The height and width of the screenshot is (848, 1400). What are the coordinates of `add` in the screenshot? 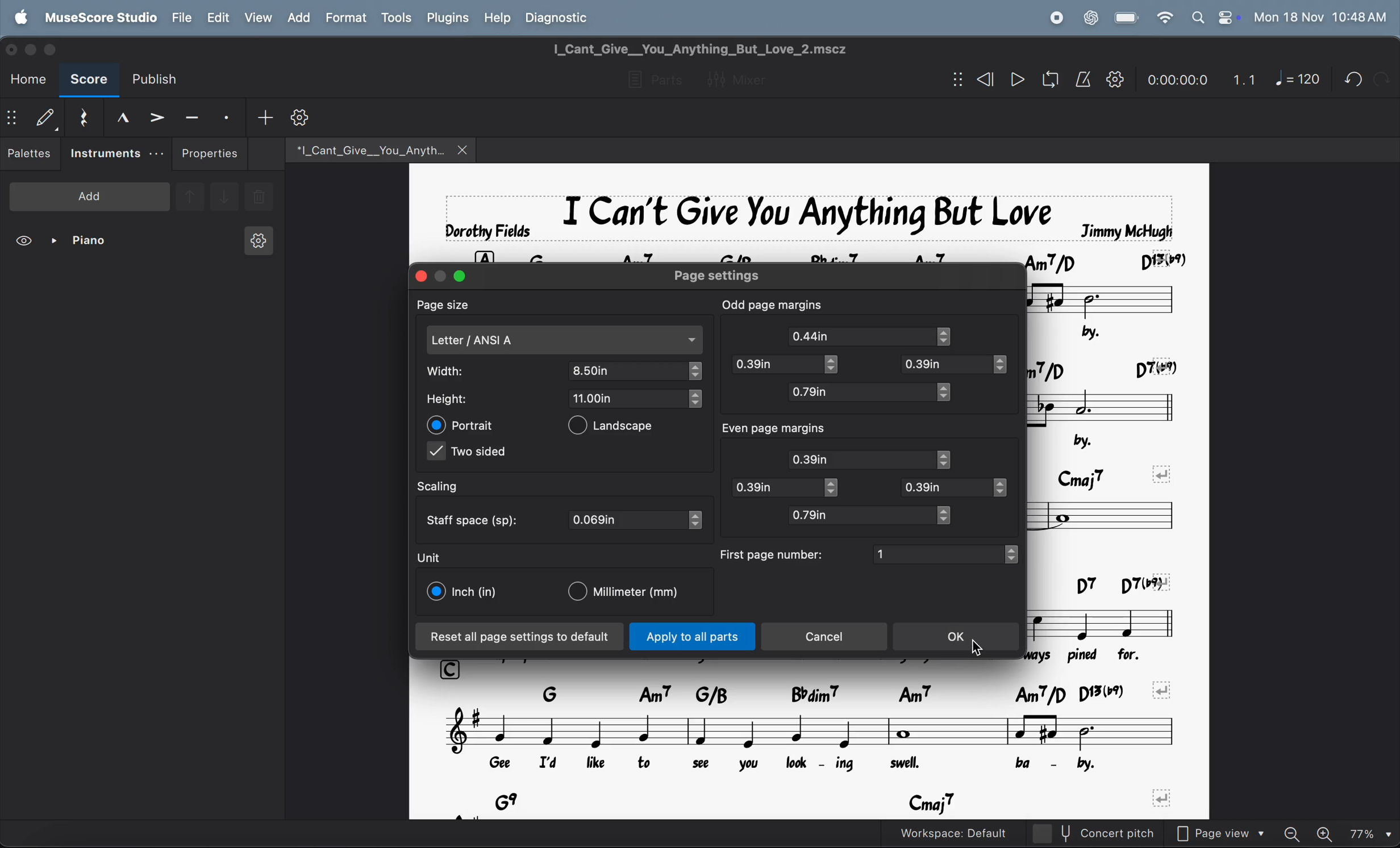 It's located at (298, 17).